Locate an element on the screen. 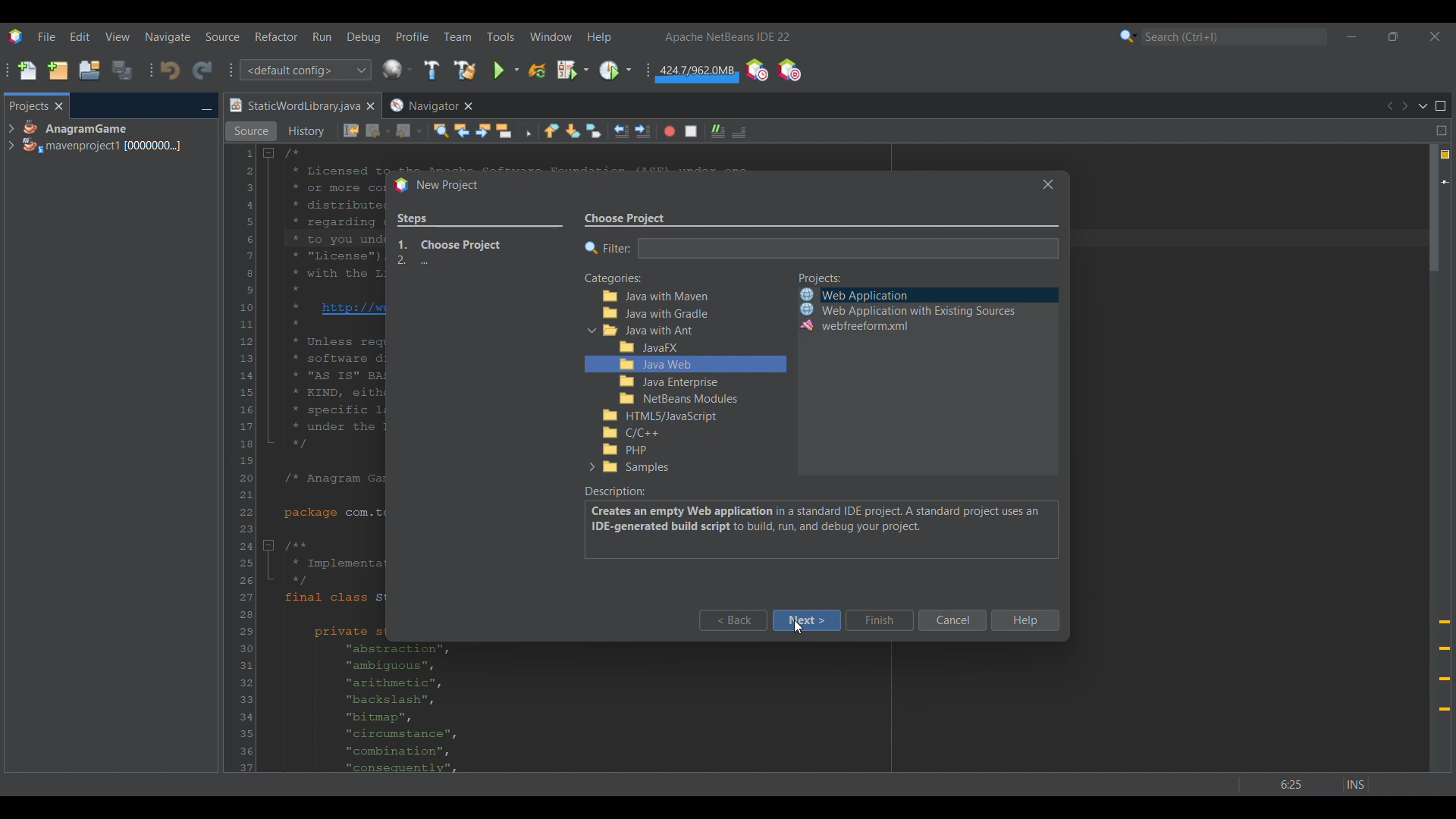 Image resolution: width=1456 pixels, height=819 pixels. Cancel is located at coordinates (952, 620).